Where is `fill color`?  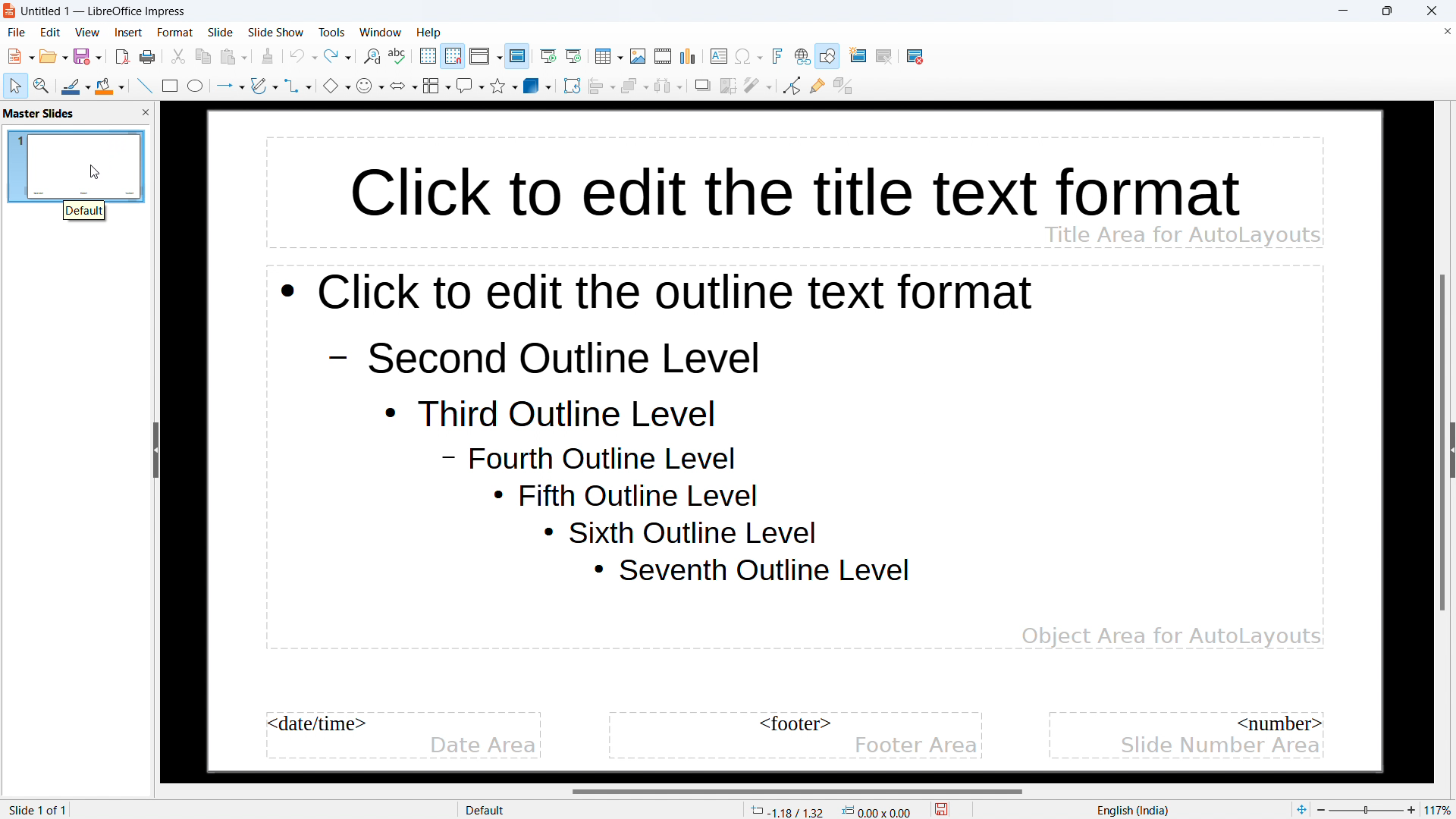 fill color is located at coordinates (111, 86).